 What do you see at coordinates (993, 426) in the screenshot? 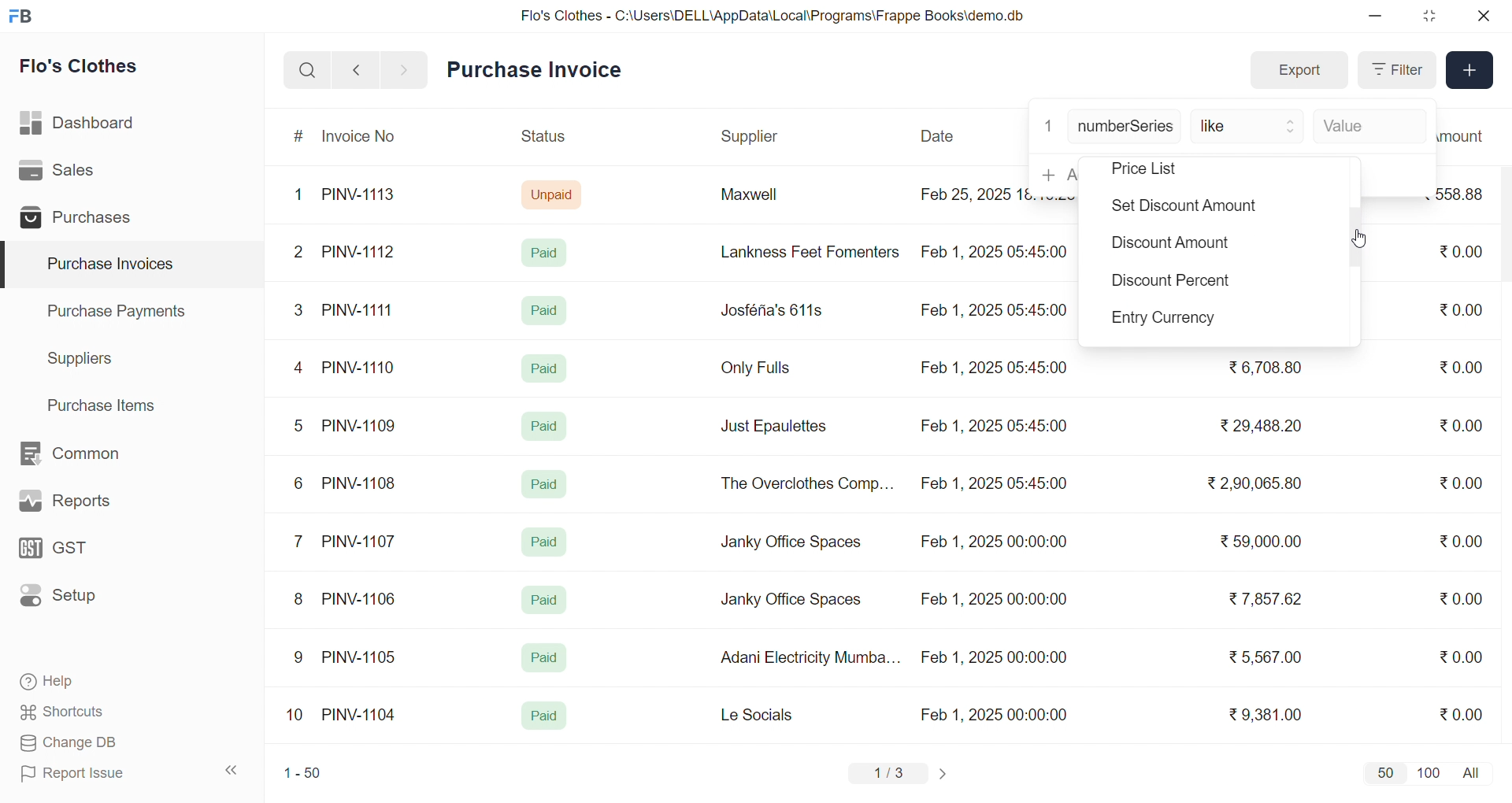
I see `Feb 1, 2025 05:45:00` at bounding box center [993, 426].